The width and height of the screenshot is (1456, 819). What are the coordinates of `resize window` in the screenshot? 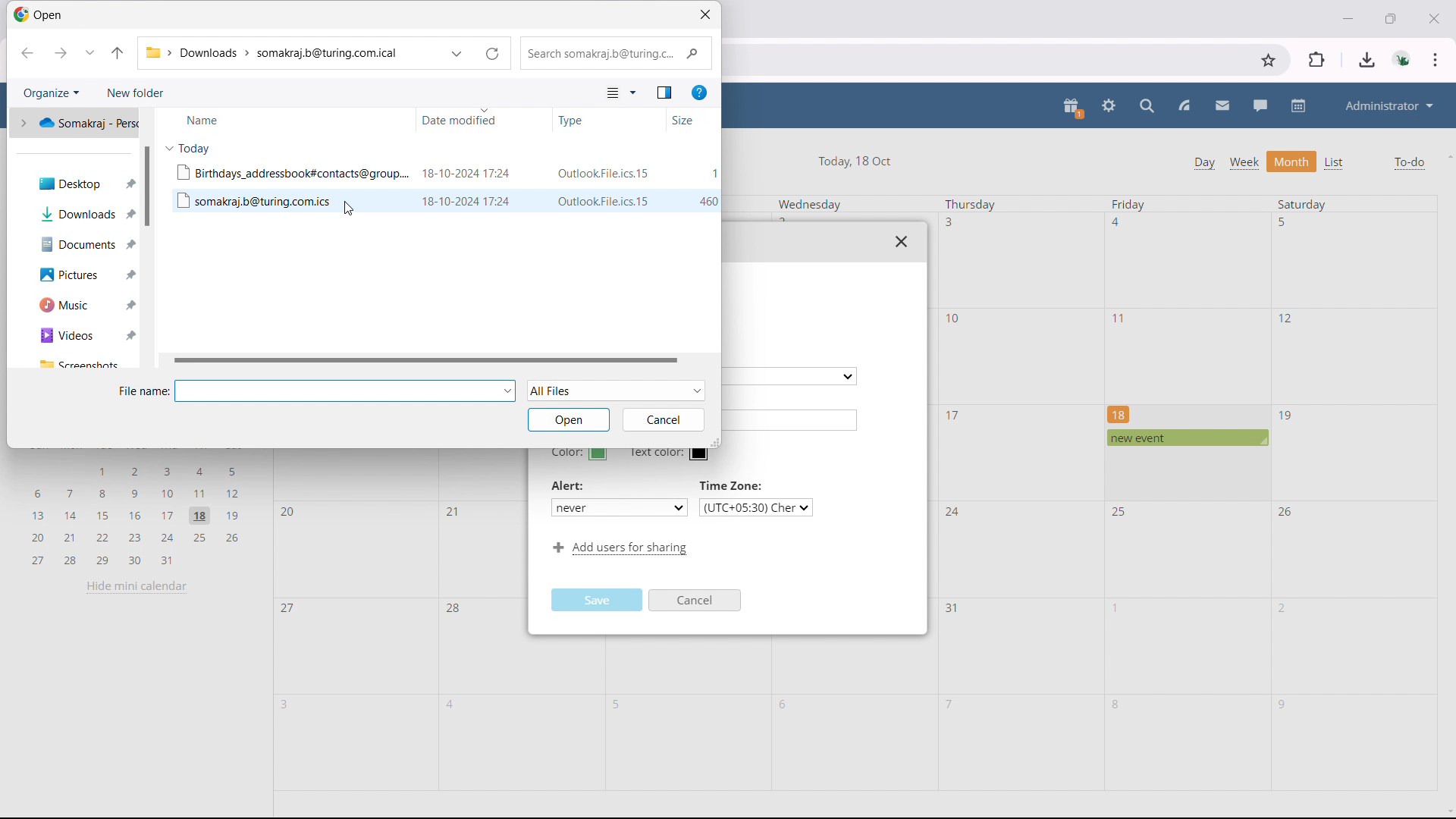 It's located at (715, 441).